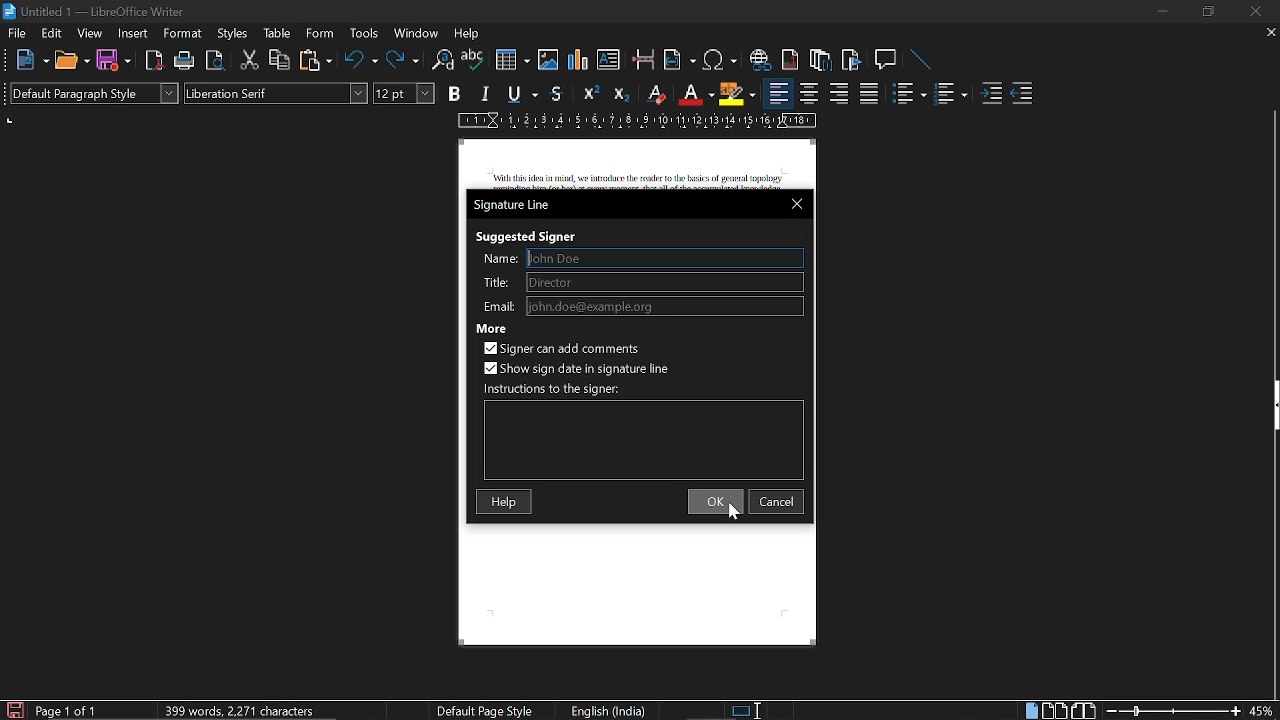  I want to click on toggle unordered list, so click(908, 95).